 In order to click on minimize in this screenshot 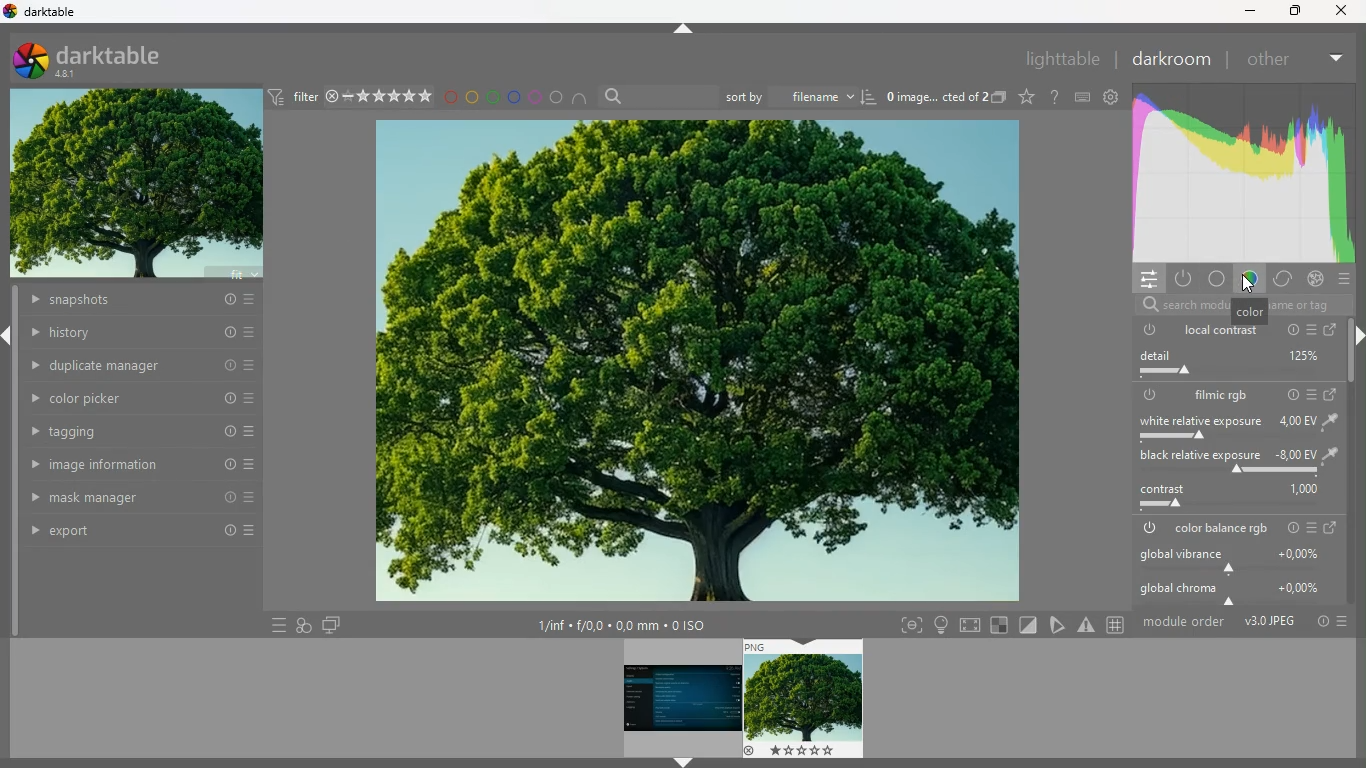, I will do `click(1247, 12)`.